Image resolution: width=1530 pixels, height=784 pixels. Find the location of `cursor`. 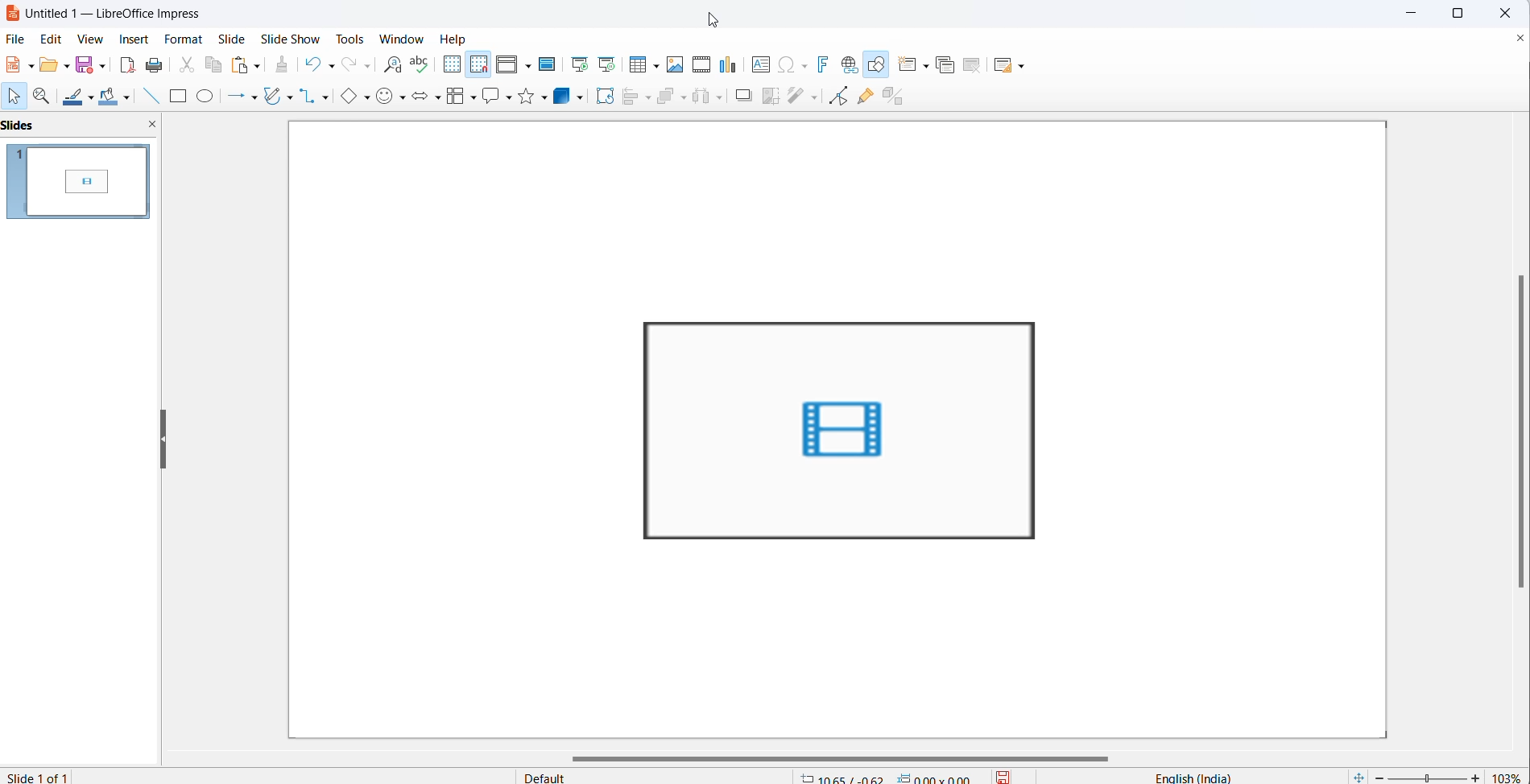

cursor is located at coordinates (717, 22).